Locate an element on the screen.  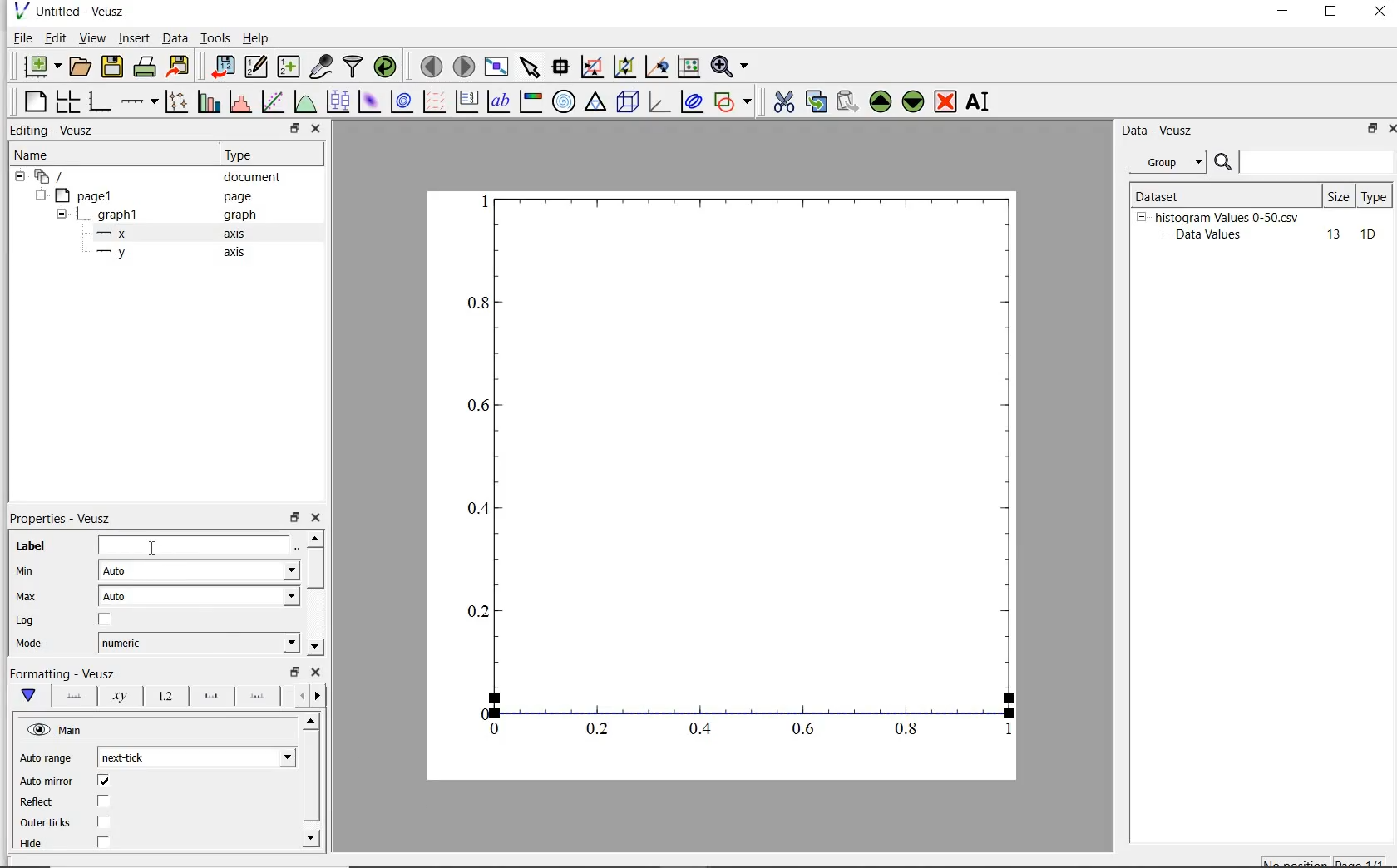
|Formatting - Veusz is located at coordinates (60, 672).